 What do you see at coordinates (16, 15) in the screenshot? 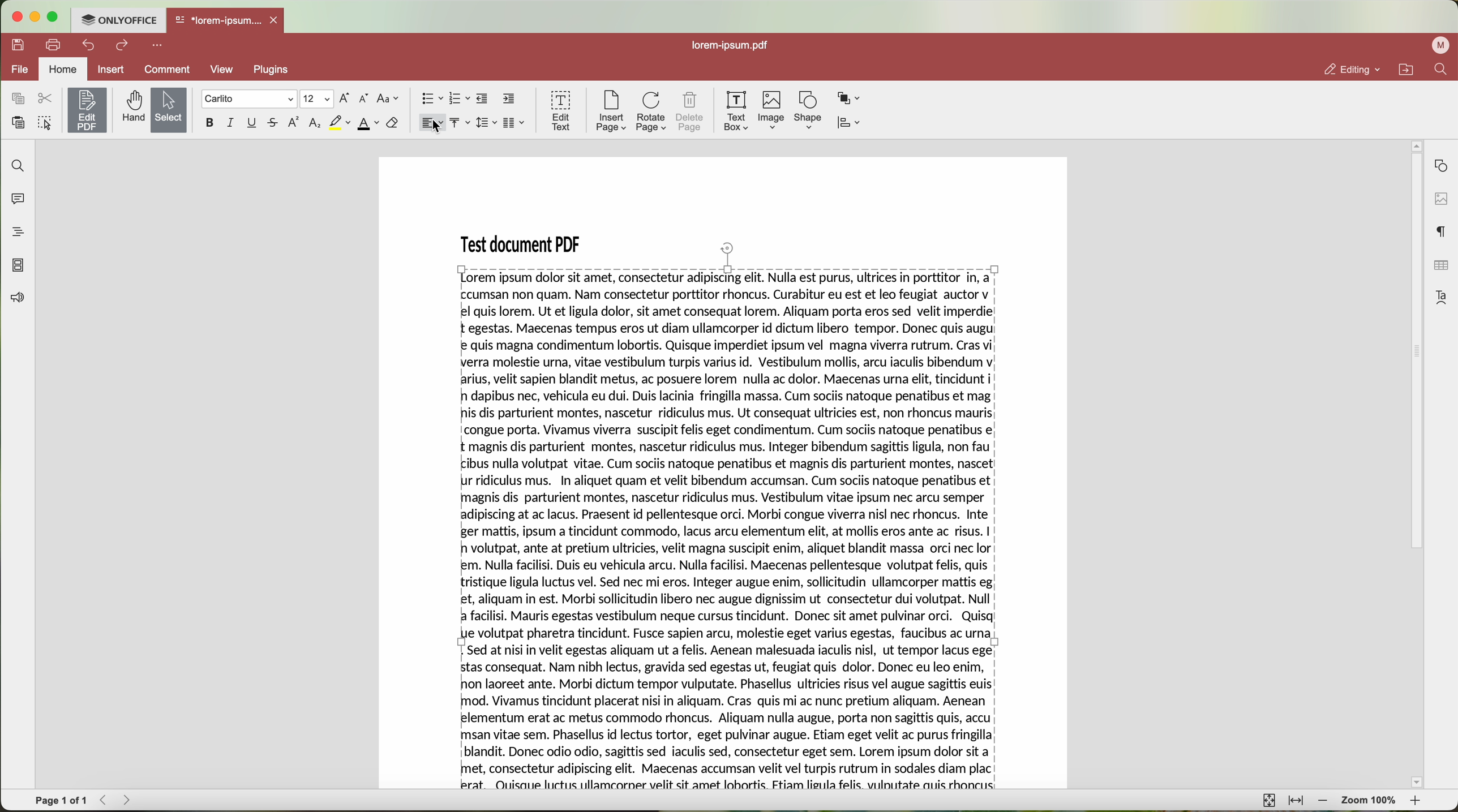
I see `close program` at bounding box center [16, 15].